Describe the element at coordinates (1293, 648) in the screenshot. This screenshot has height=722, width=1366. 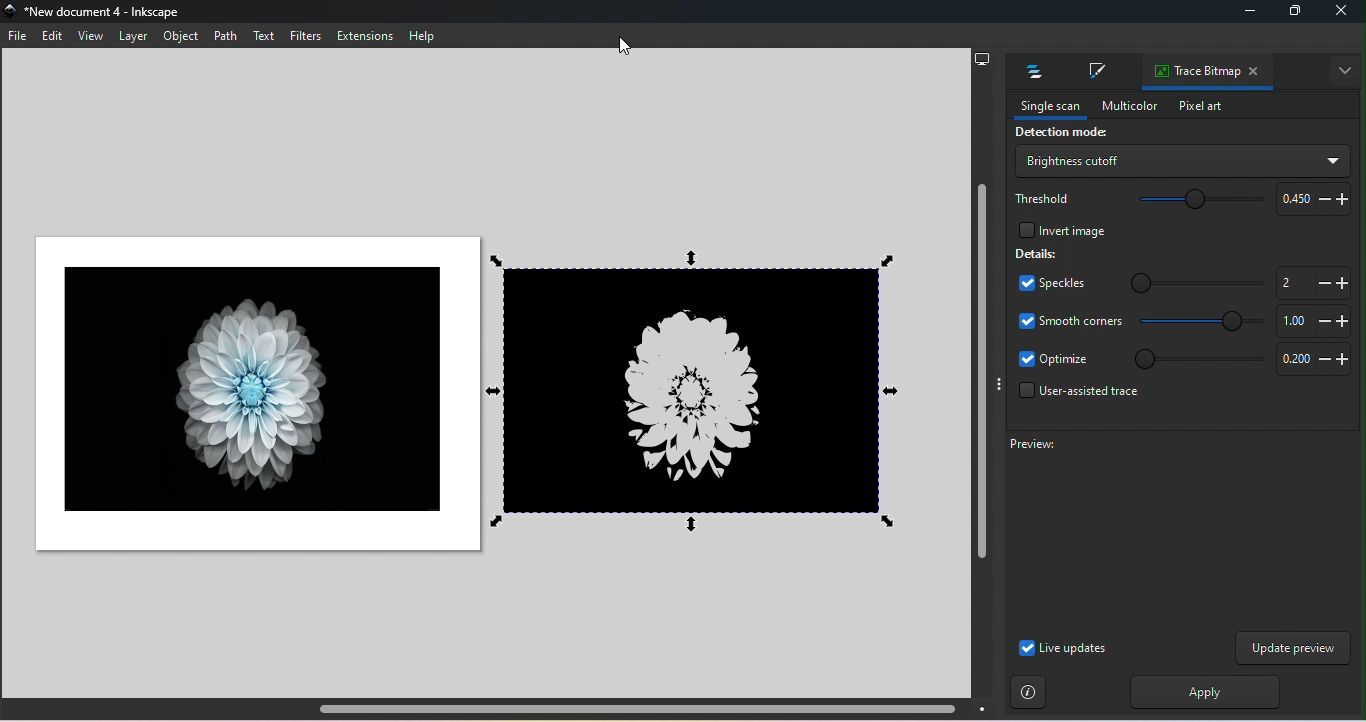
I see `Update preview` at that location.